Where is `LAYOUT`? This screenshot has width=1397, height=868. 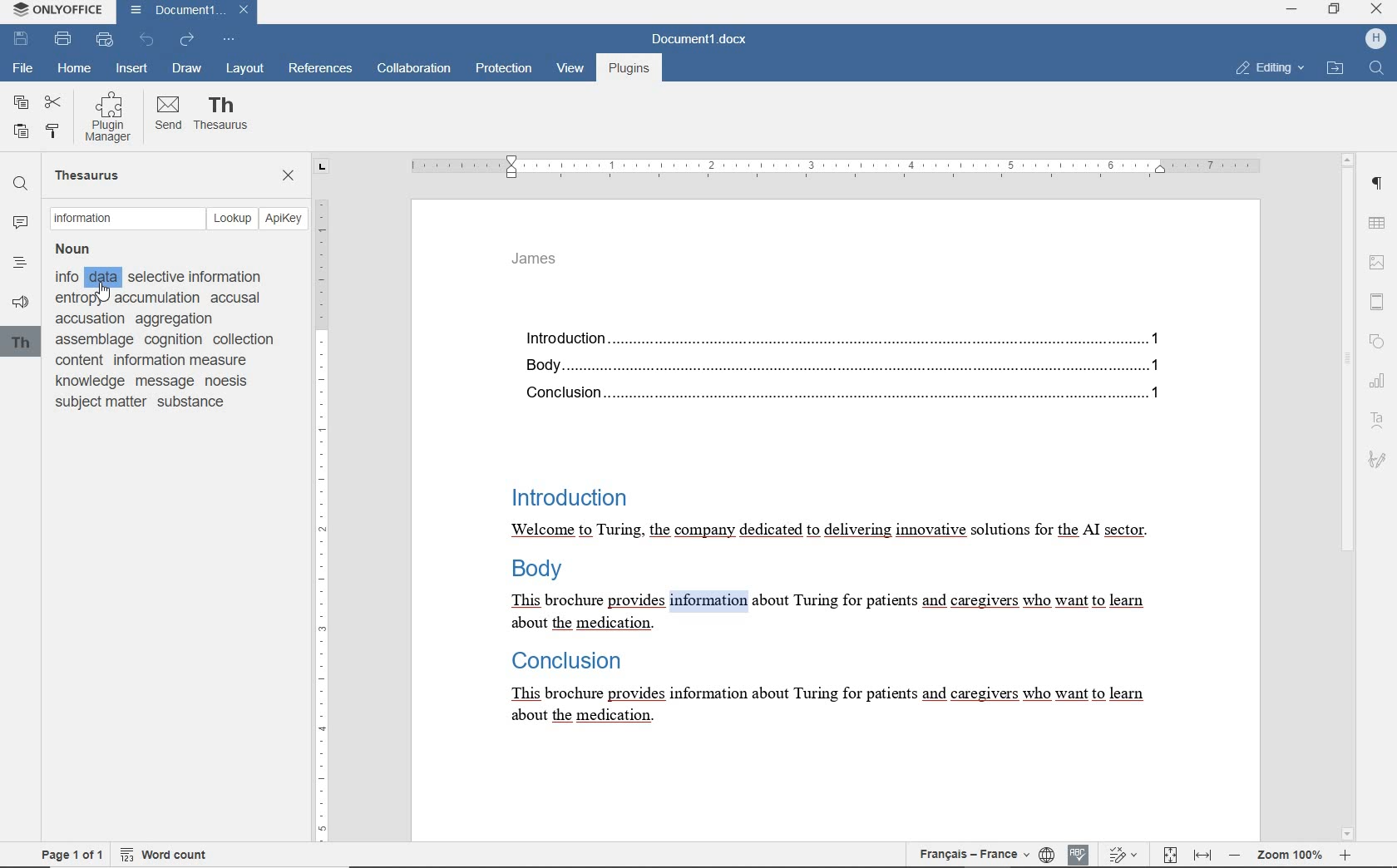
LAYOUT is located at coordinates (243, 70).